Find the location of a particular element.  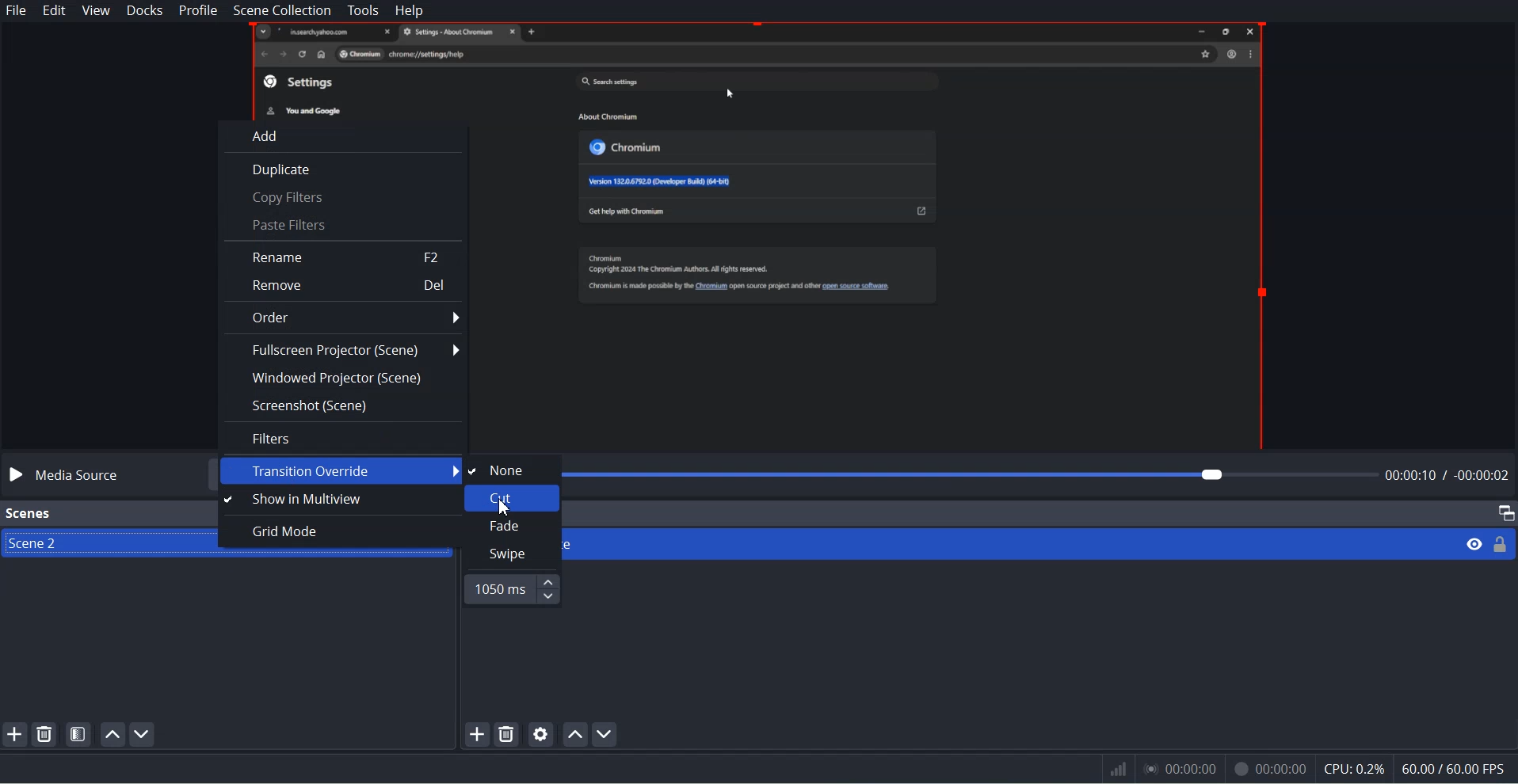

Add is located at coordinates (345, 135).